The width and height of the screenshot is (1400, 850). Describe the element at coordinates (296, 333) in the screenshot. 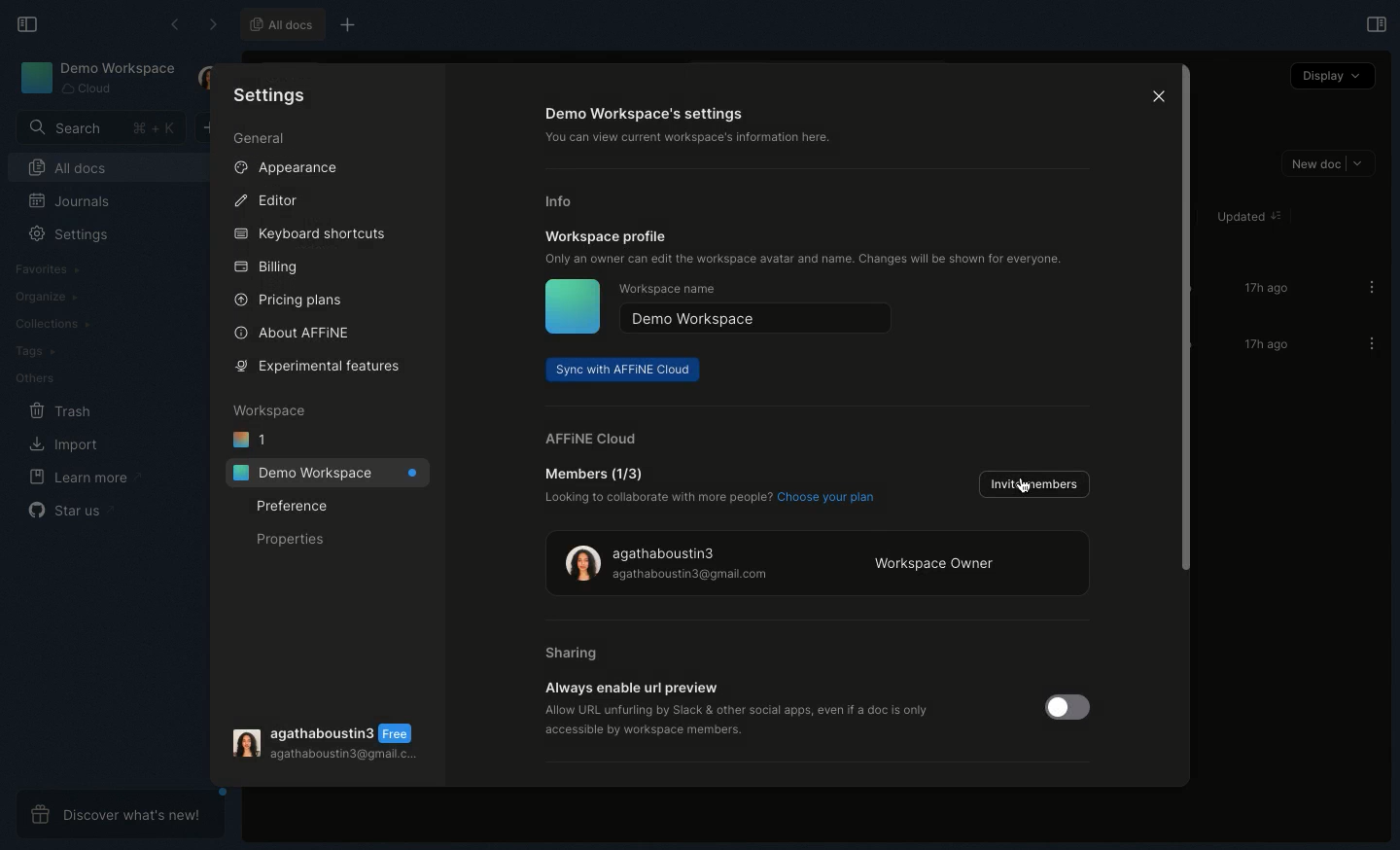

I see `About AFFINE` at that location.